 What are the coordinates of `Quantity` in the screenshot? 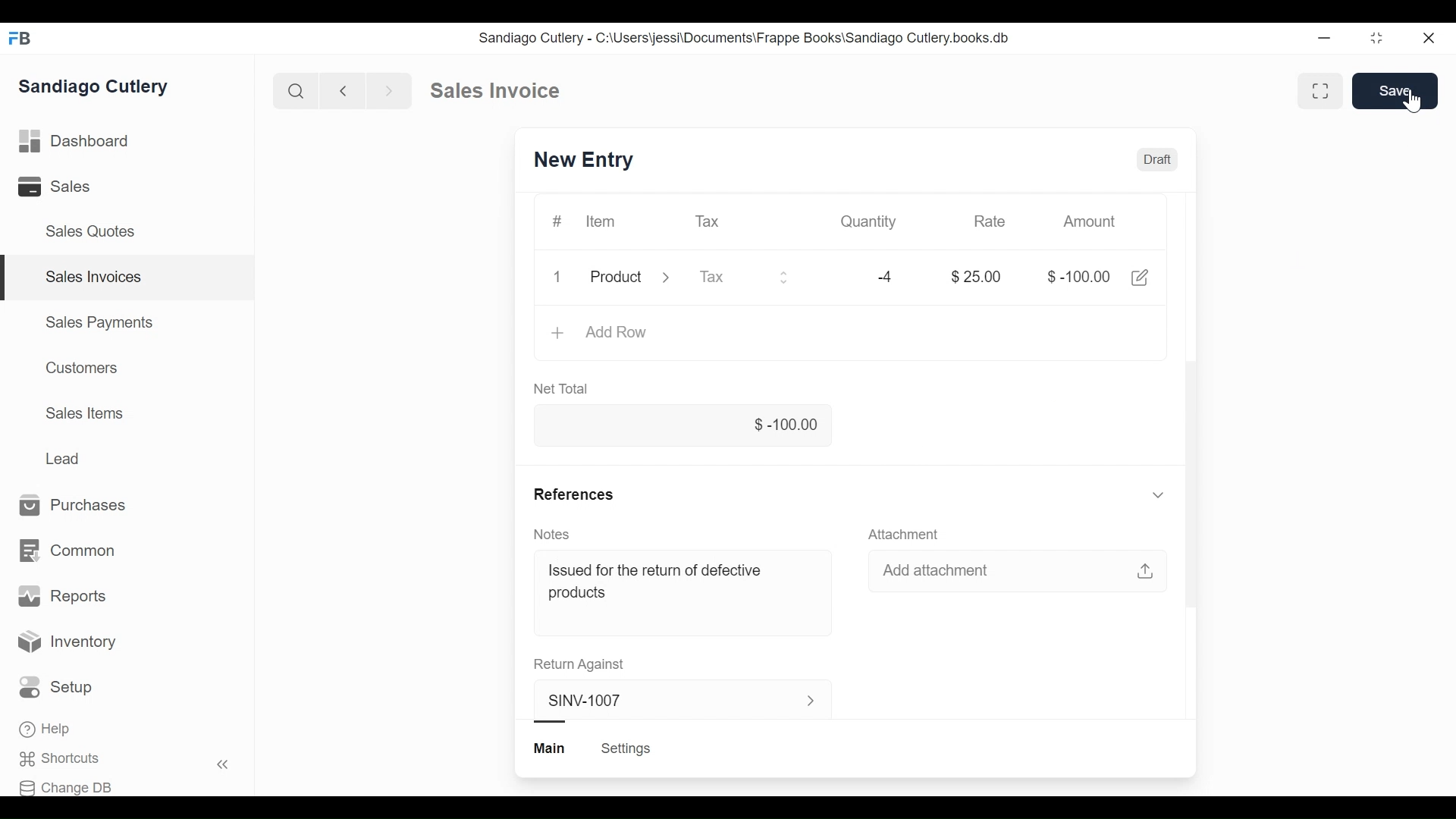 It's located at (871, 221).